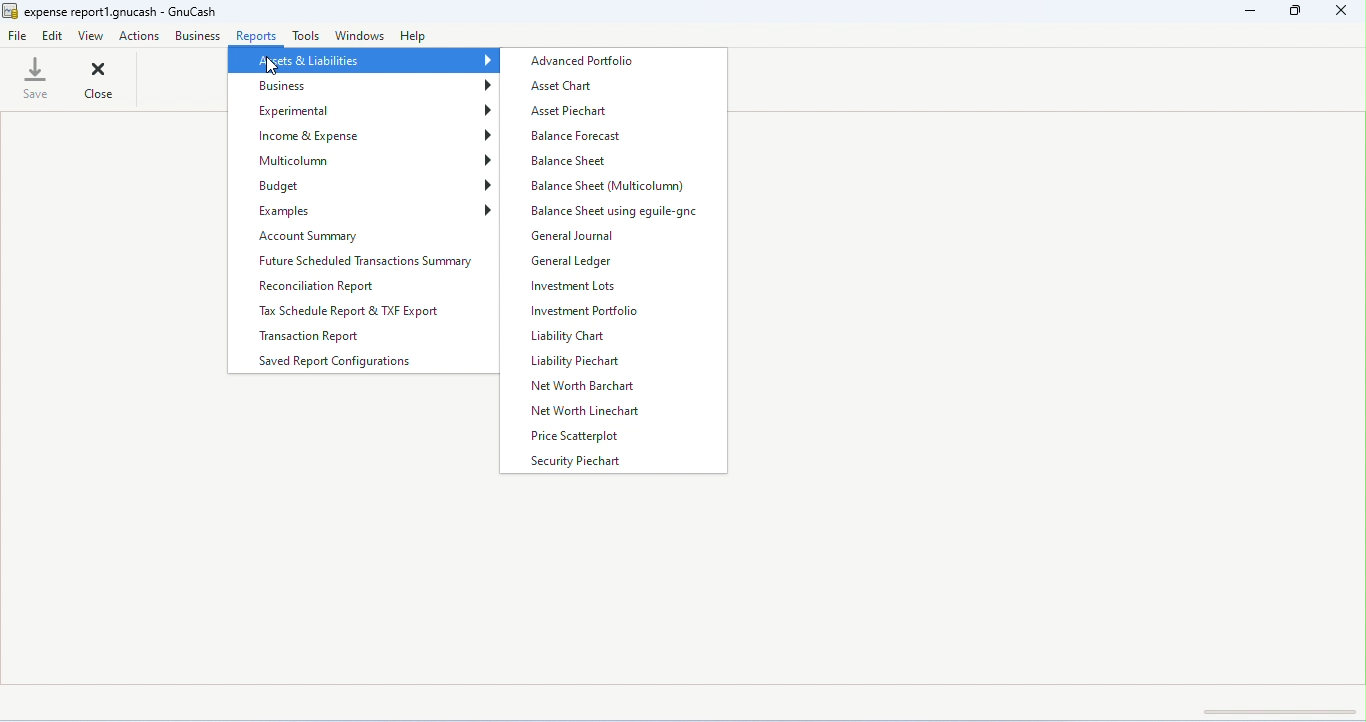  Describe the element at coordinates (318, 338) in the screenshot. I see `transaction report` at that location.